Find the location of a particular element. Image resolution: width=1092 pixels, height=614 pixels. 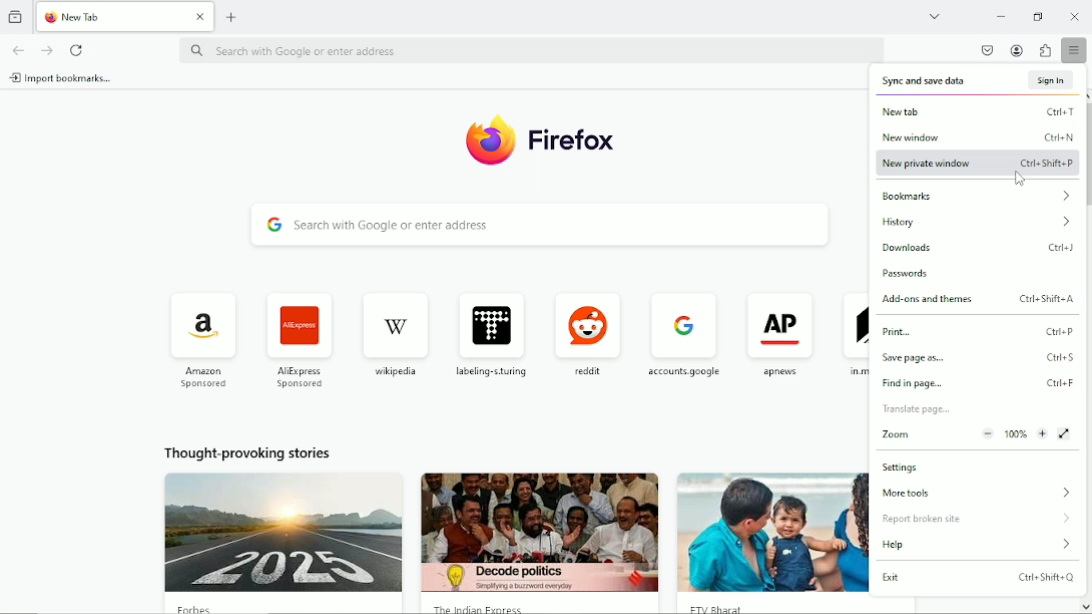

settings is located at coordinates (905, 468).